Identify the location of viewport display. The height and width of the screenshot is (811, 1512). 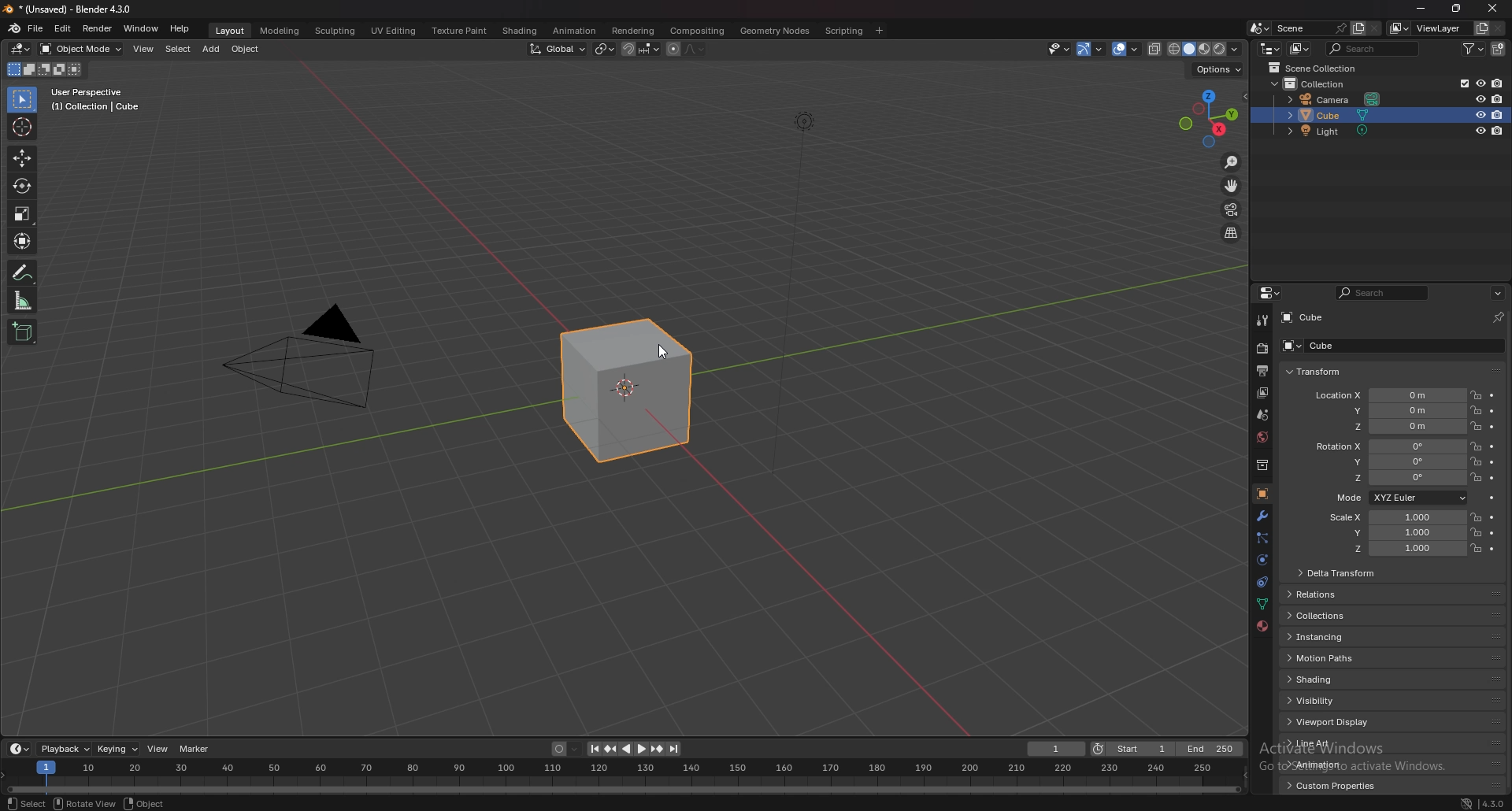
(1336, 722).